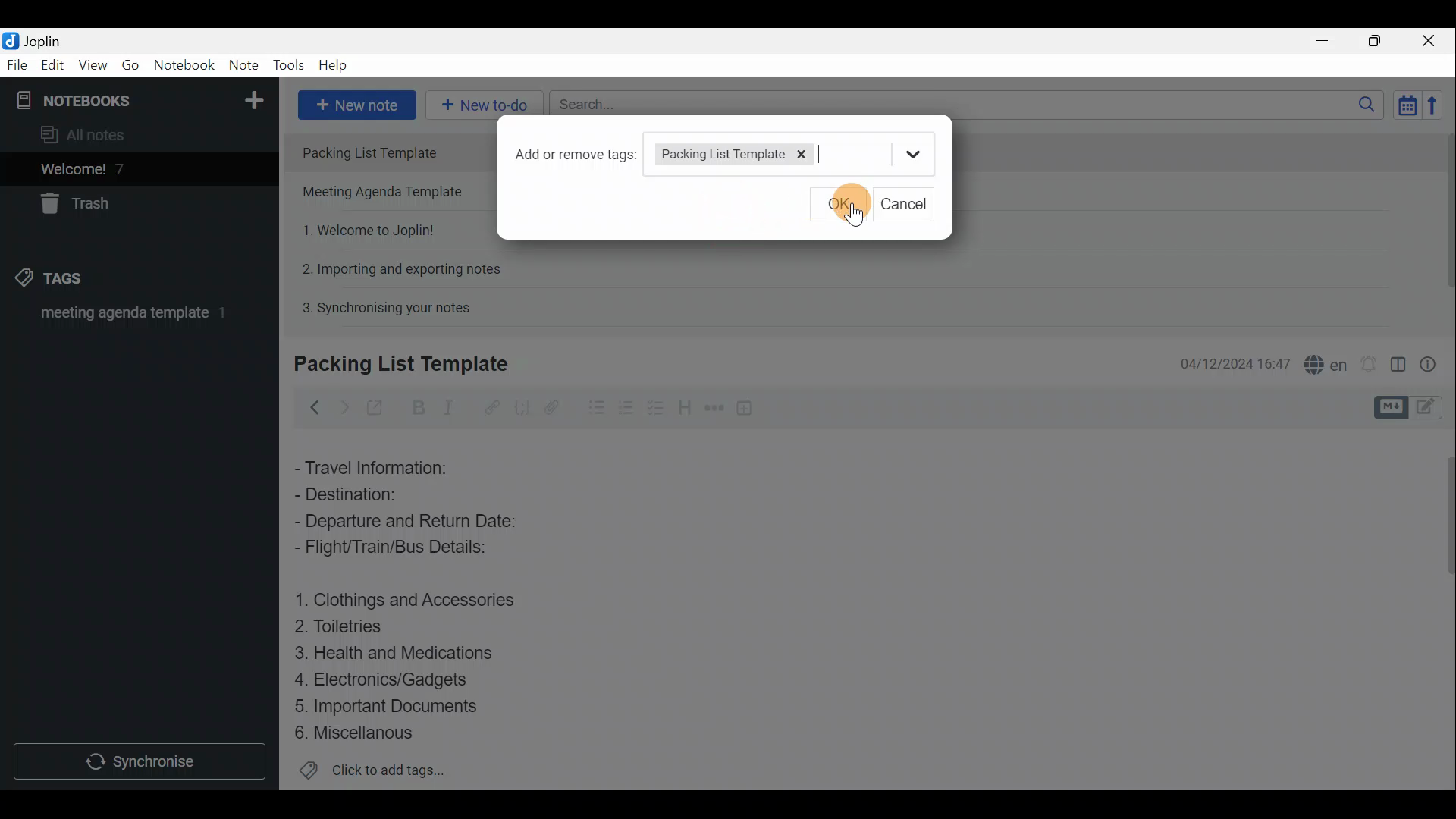  Describe the element at coordinates (855, 216) in the screenshot. I see `cursor` at that location.